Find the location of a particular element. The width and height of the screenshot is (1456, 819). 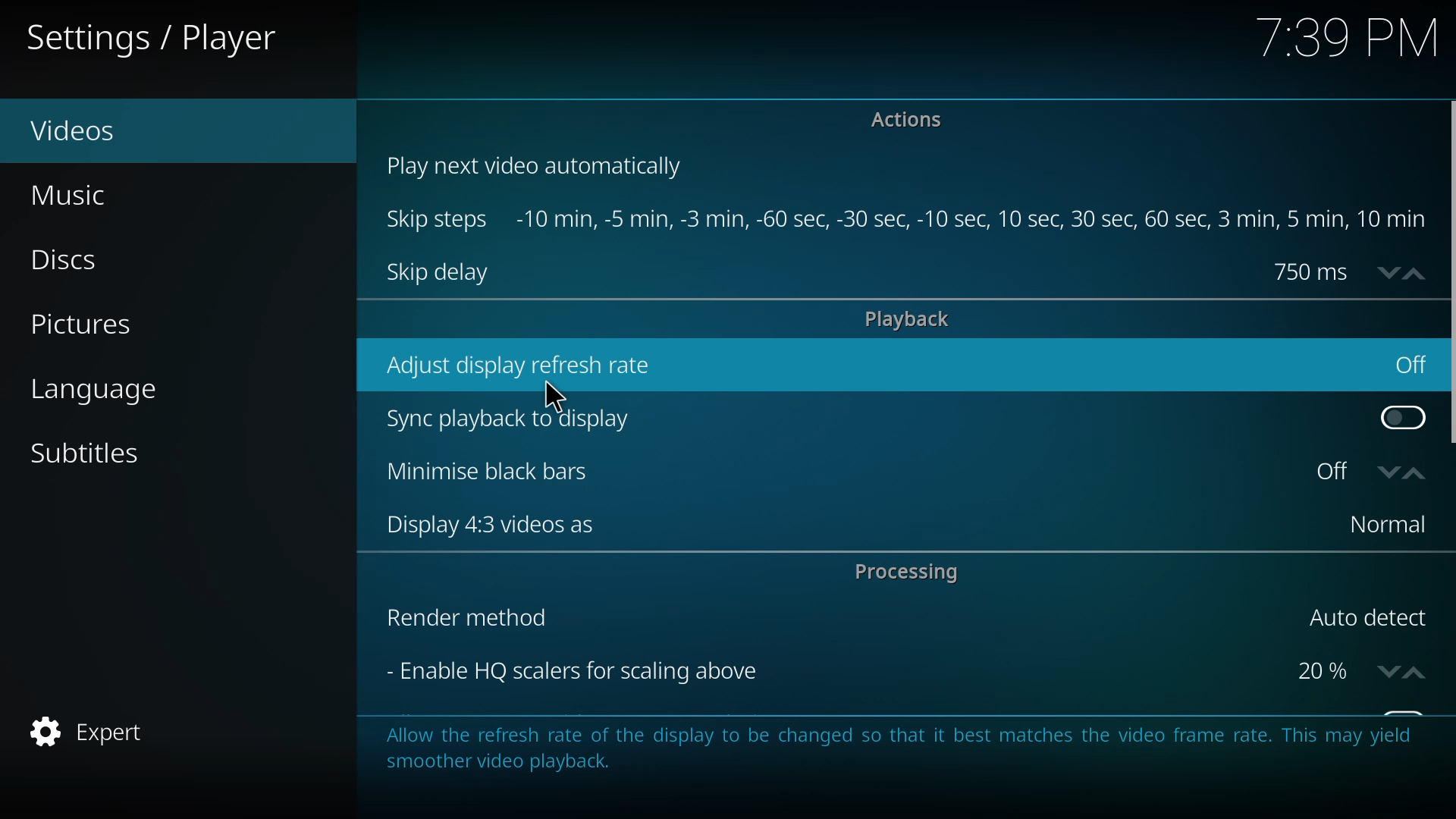

20 is located at coordinates (1356, 670).